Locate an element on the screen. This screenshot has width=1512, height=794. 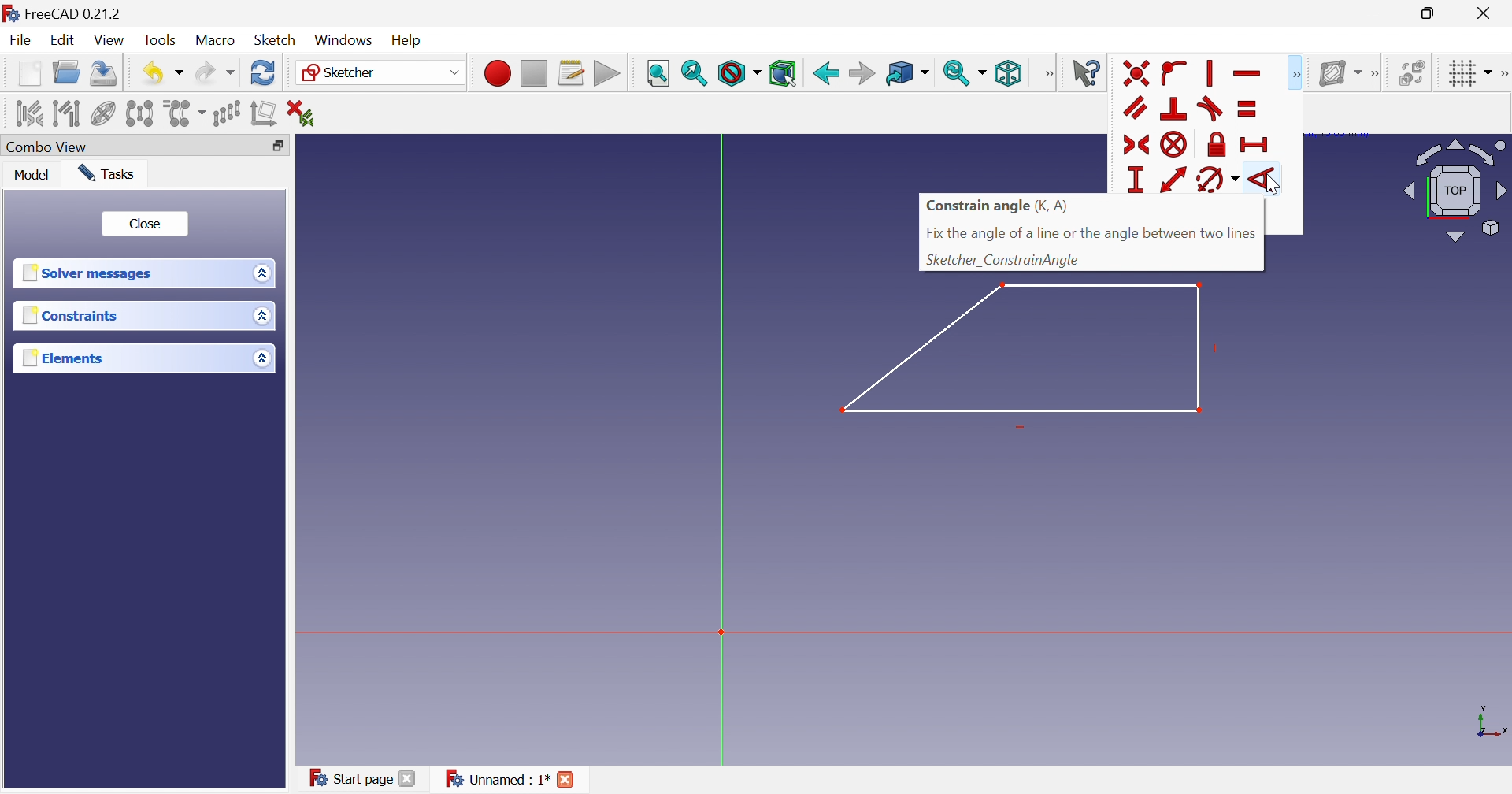
More is located at coordinates (1374, 71).